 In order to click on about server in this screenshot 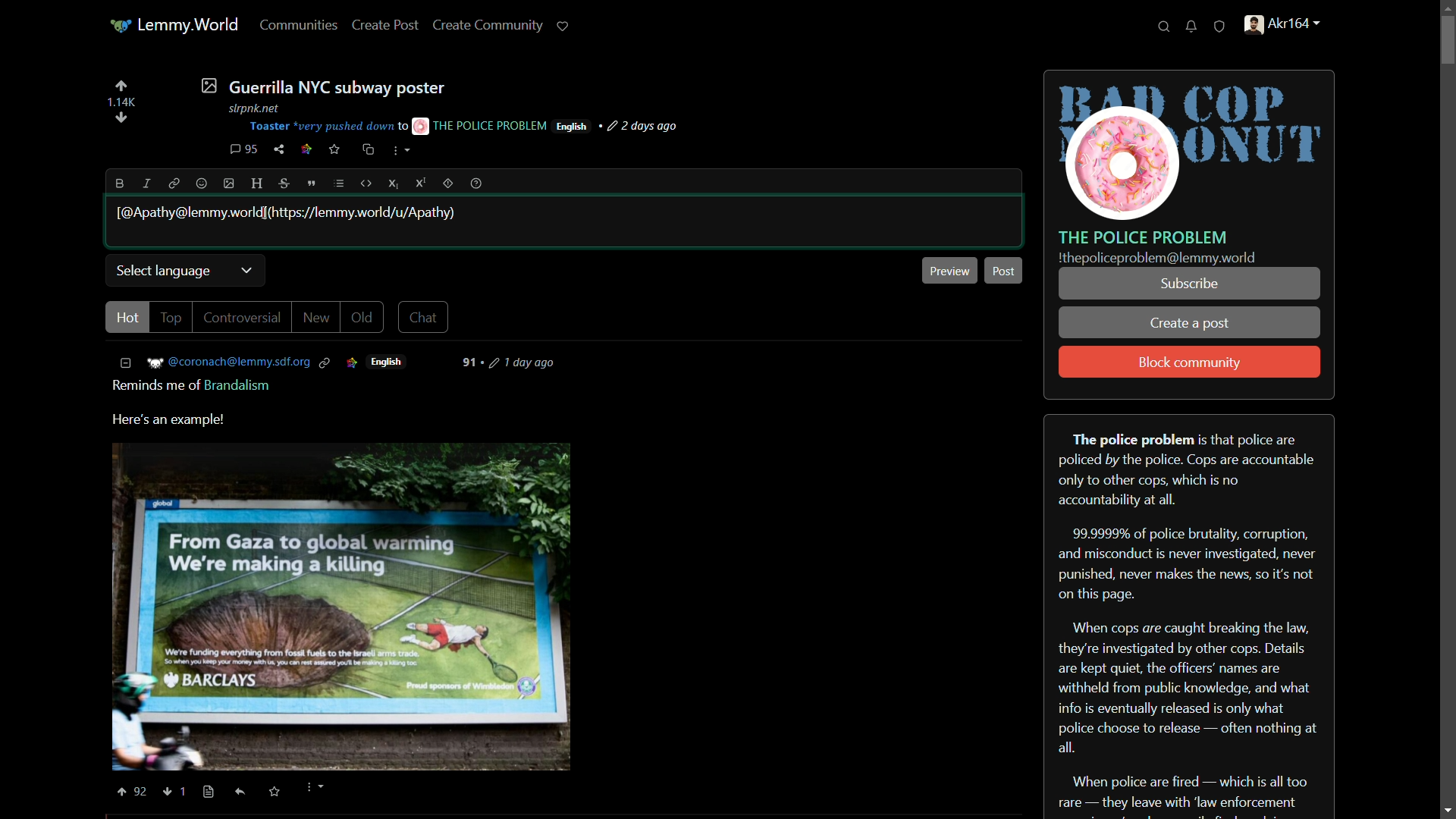, I will do `click(1189, 617)`.